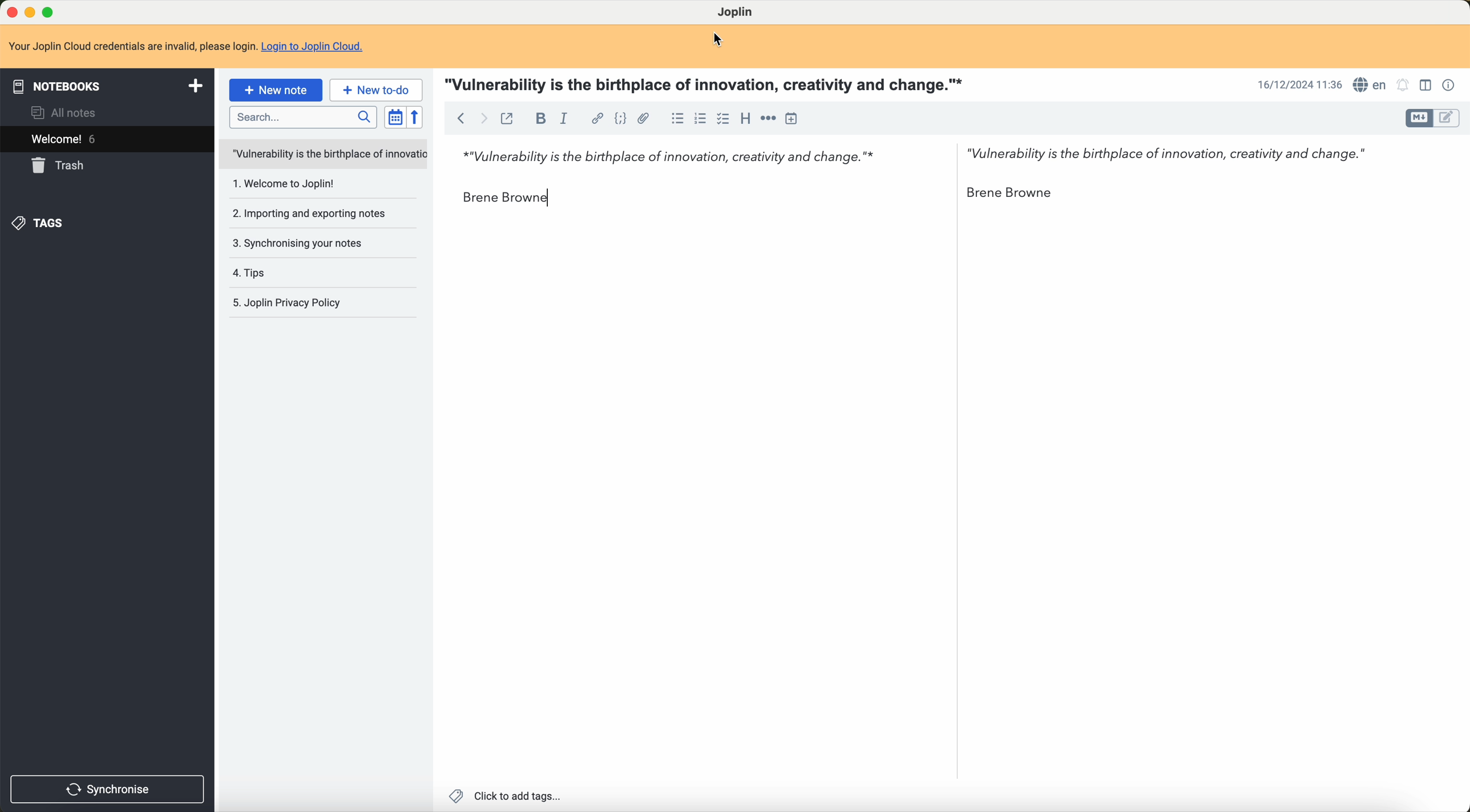  Describe the element at coordinates (66, 140) in the screenshot. I see `welcome` at that location.